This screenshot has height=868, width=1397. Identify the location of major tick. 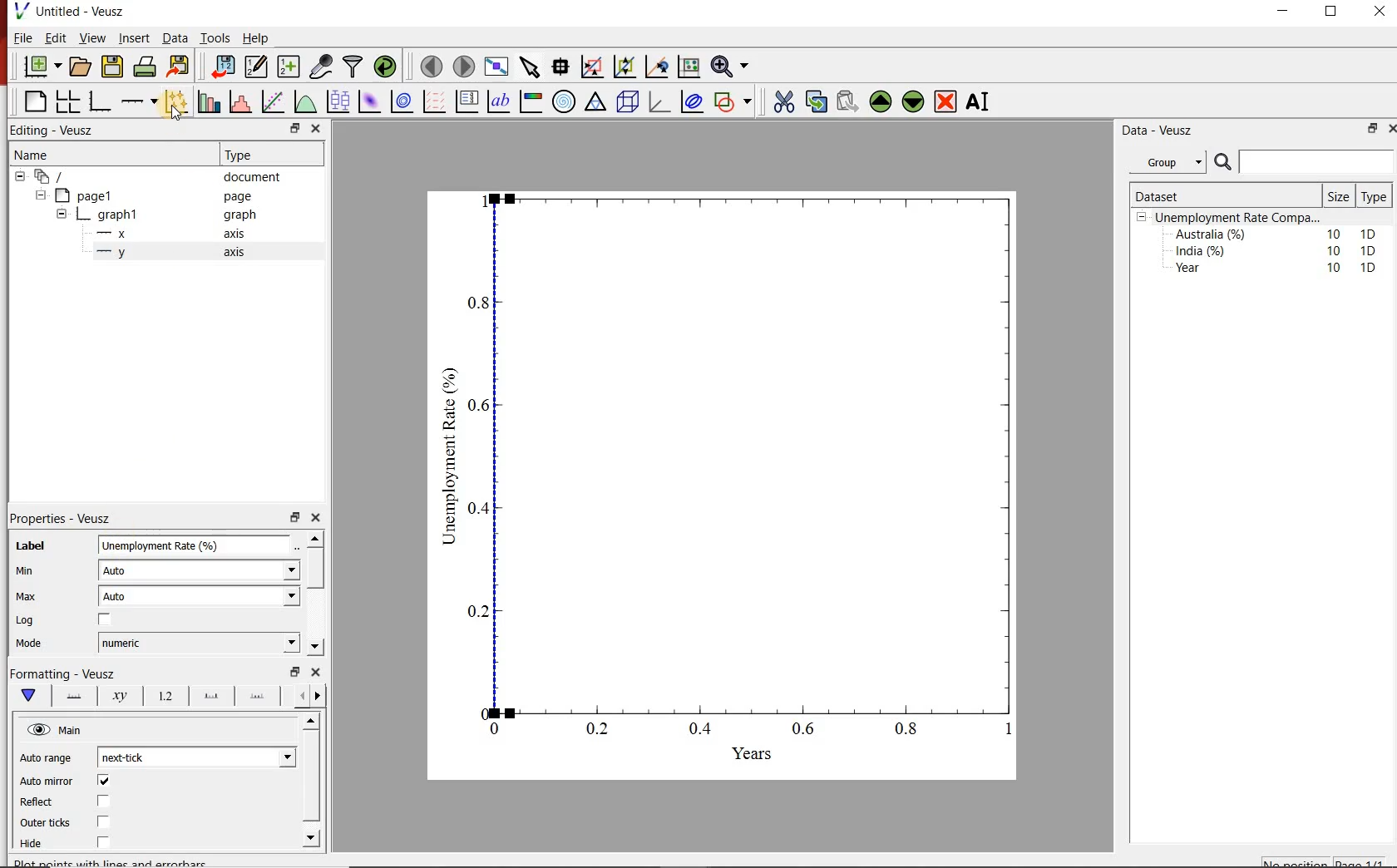
(211, 696).